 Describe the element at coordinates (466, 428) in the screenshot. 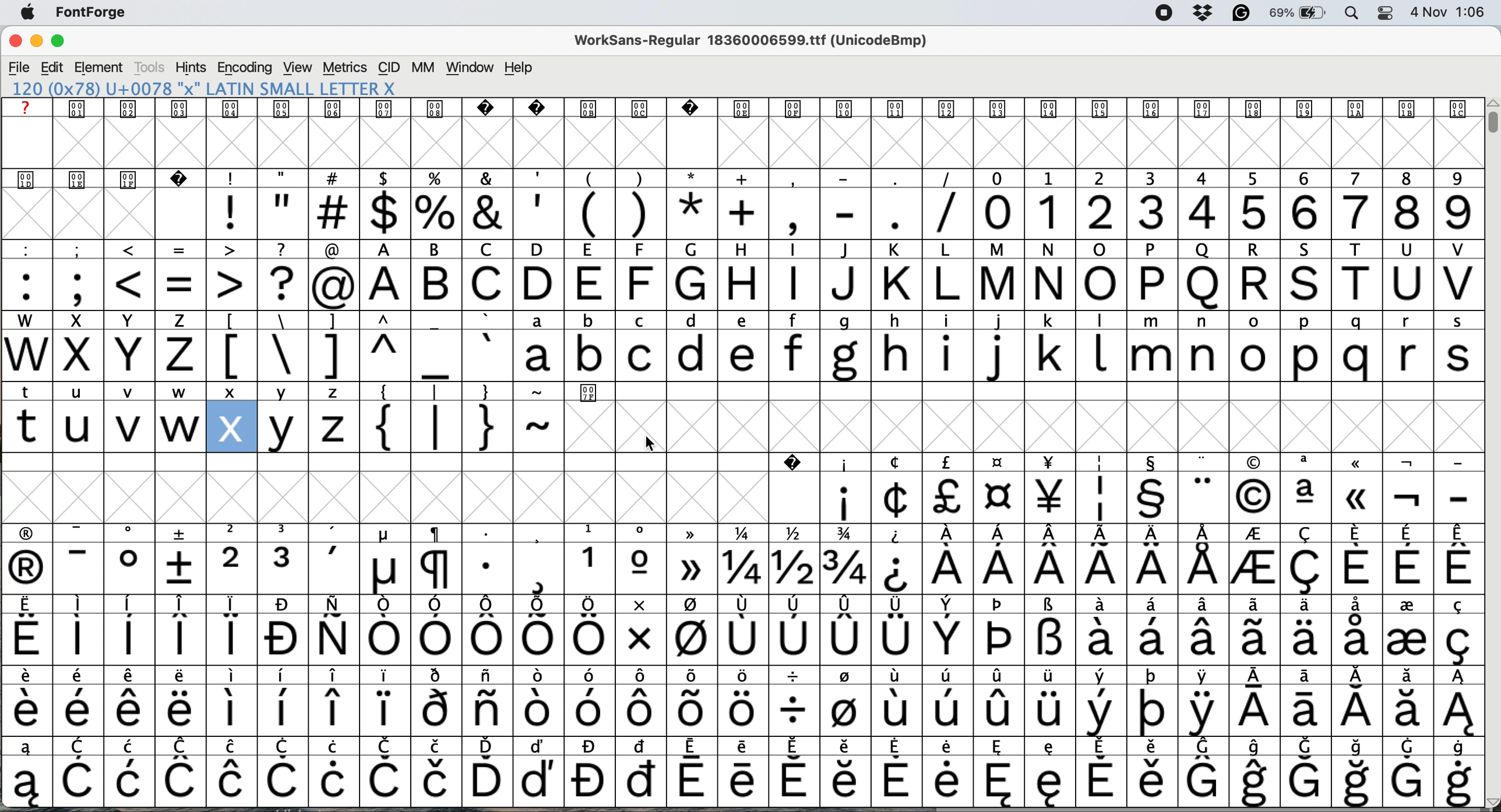

I see `special characters` at that location.